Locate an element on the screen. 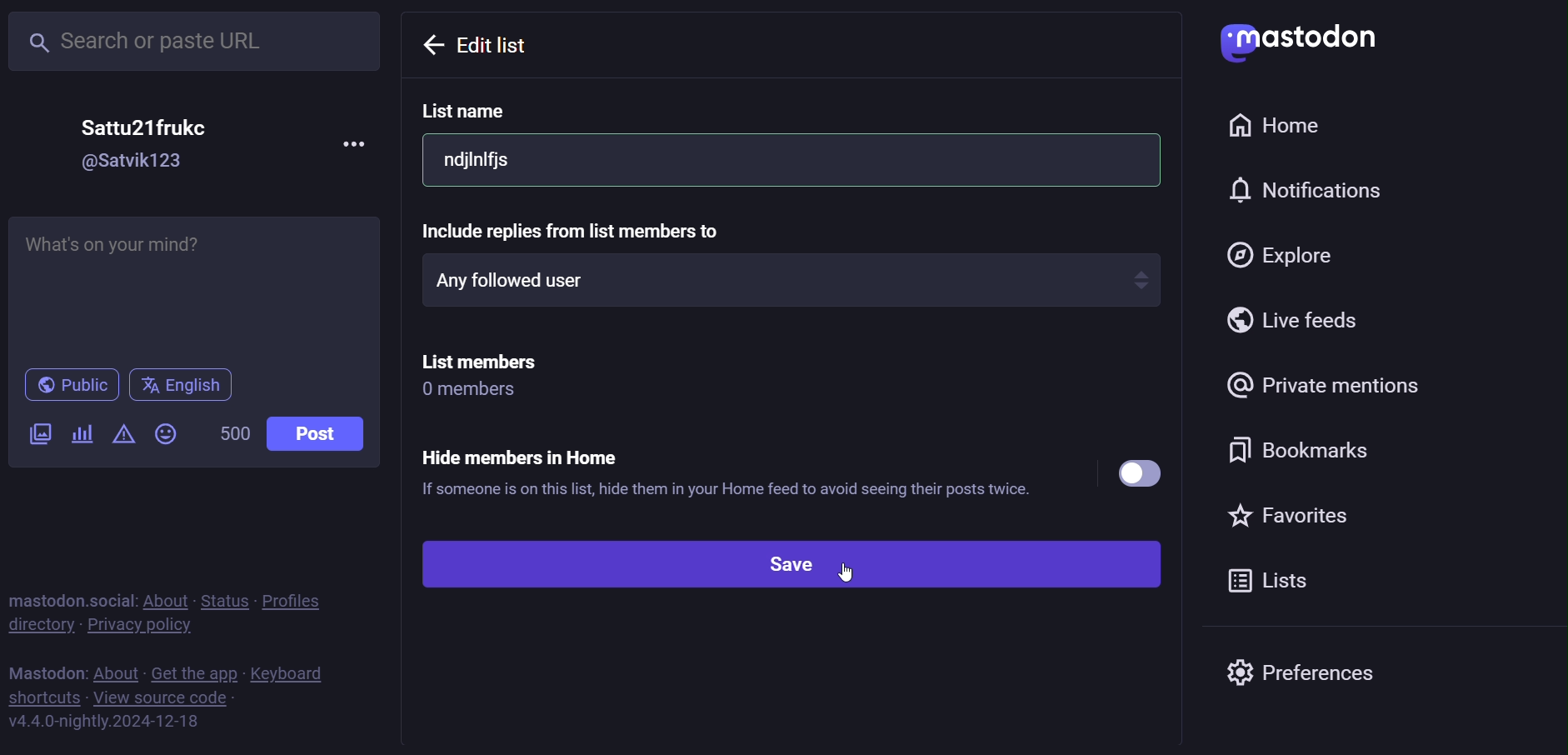  image/video is located at coordinates (34, 435).